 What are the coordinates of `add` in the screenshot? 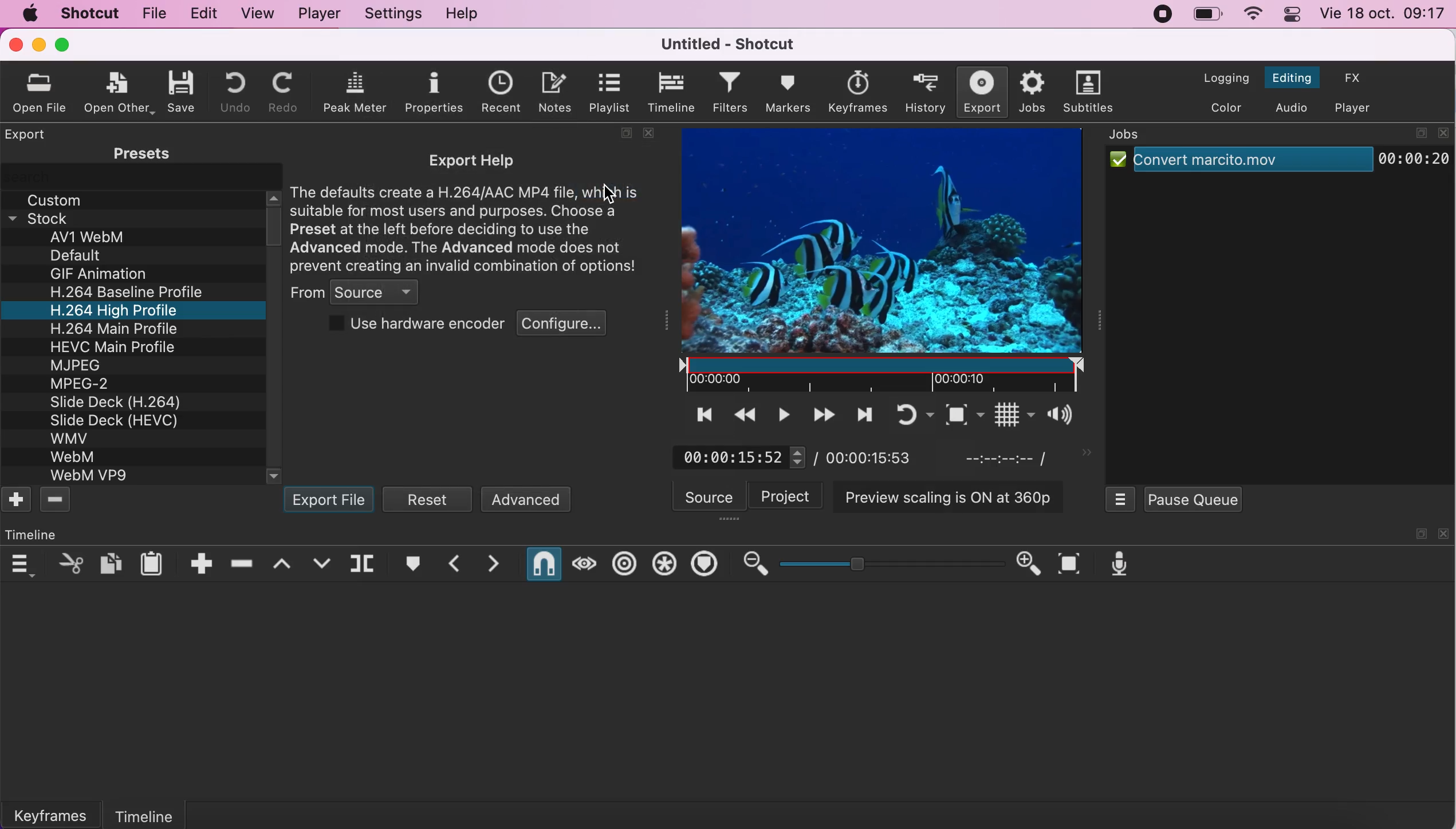 It's located at (17, 502).